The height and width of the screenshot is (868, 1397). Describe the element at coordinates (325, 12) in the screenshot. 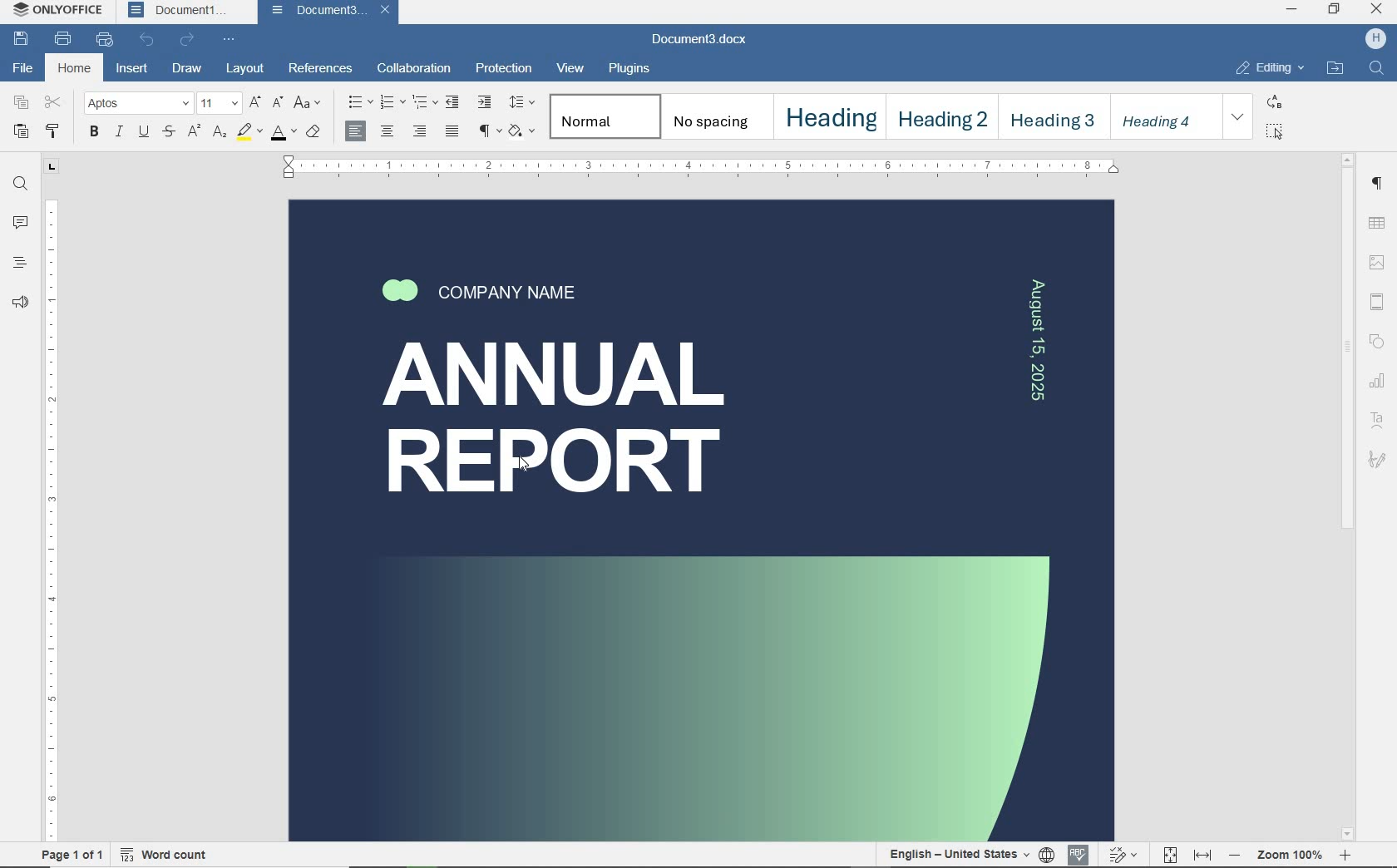

I see `Document3` at that location.